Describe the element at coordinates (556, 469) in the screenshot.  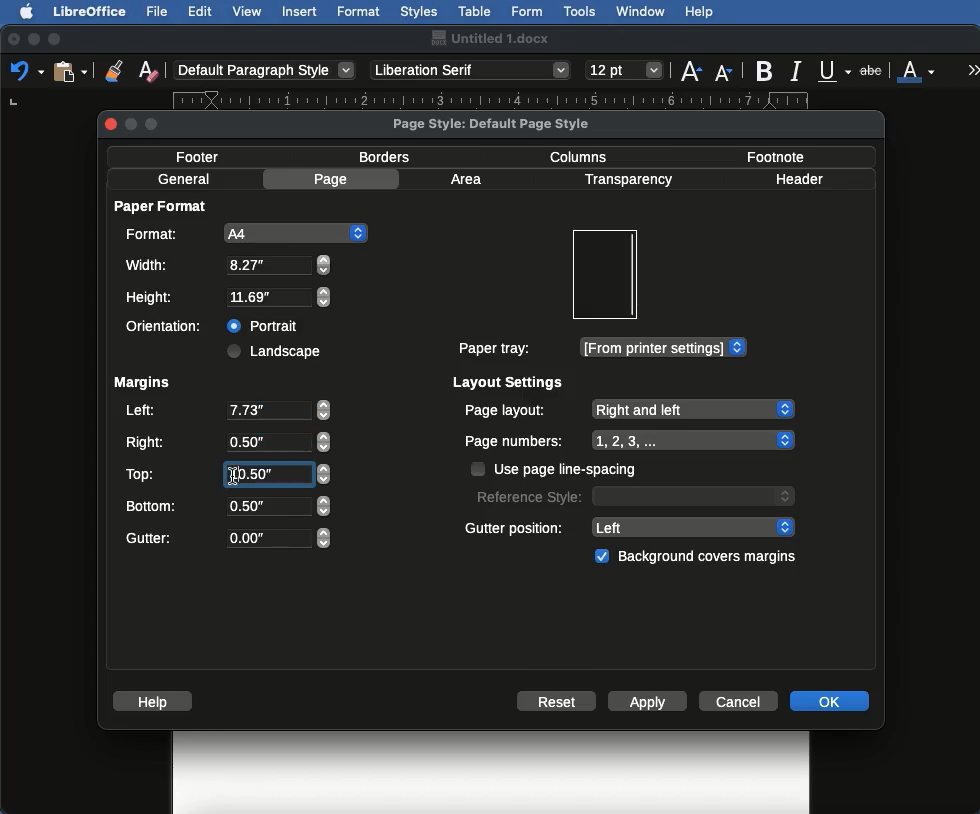
I see `Use page line spacing` at that location.